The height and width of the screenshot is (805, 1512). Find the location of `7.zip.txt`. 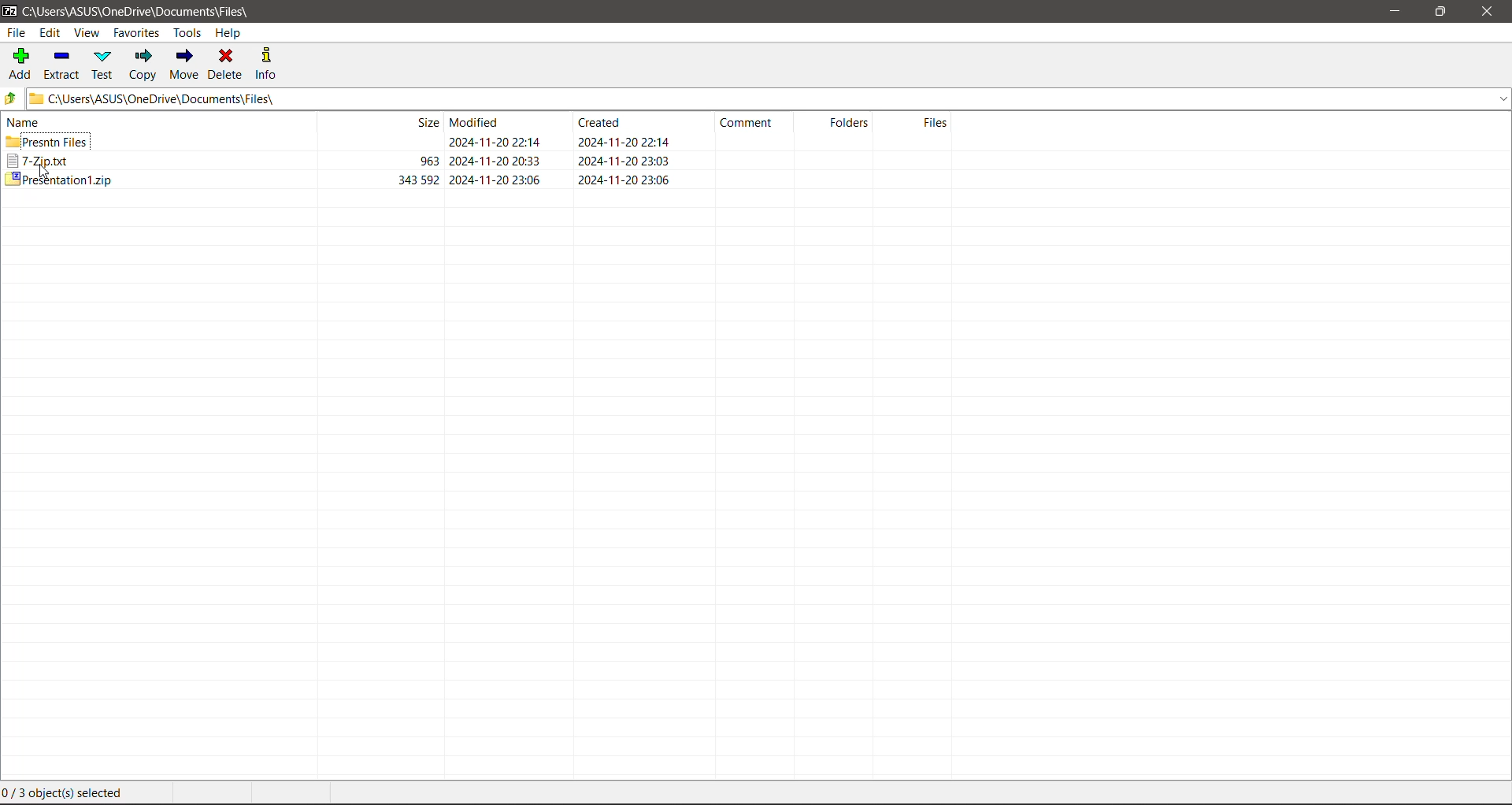

7.zip.txt is located at coordinates (39, 161).